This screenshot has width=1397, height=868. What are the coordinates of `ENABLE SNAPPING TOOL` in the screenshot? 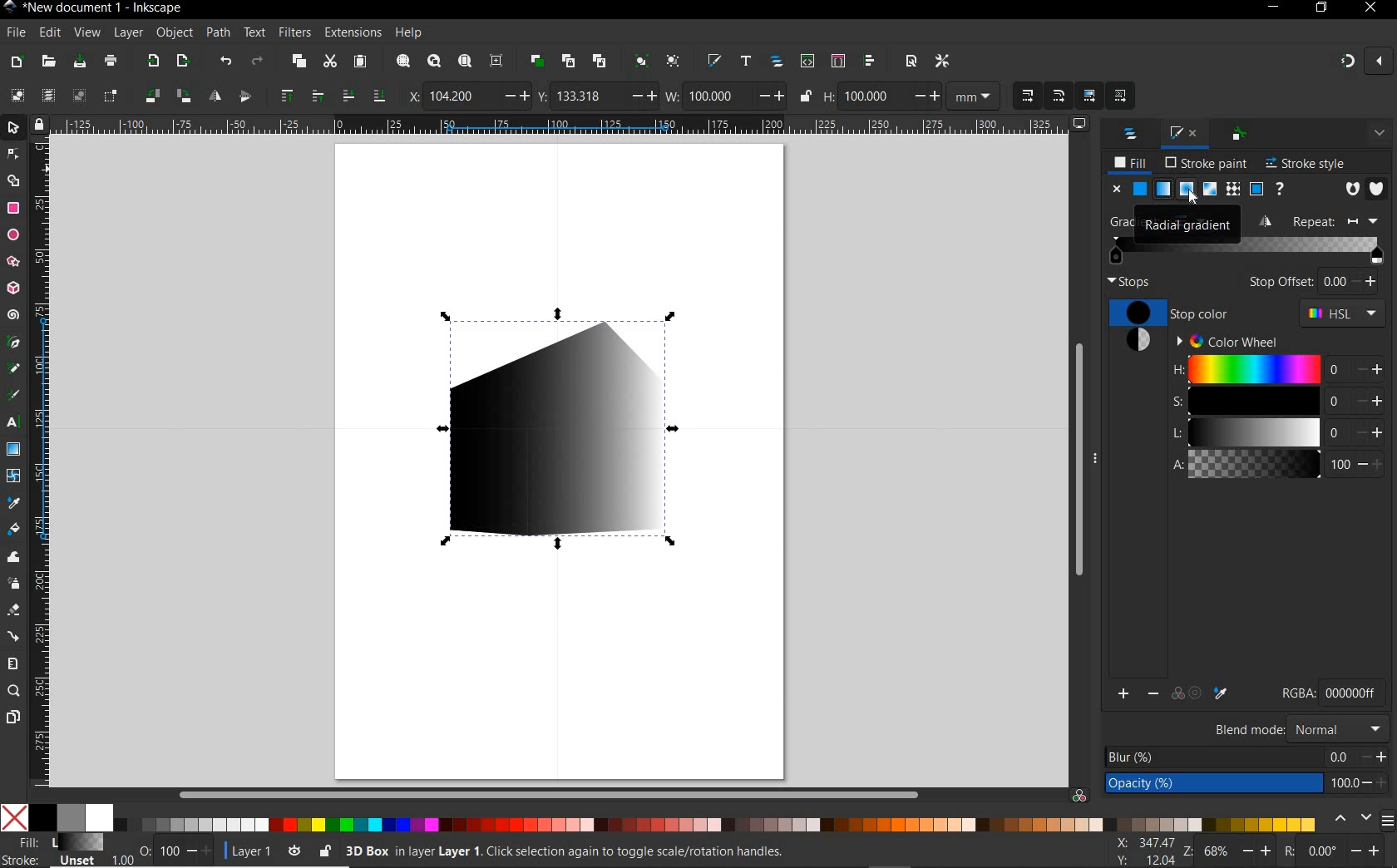 It's located at (1344, 61).